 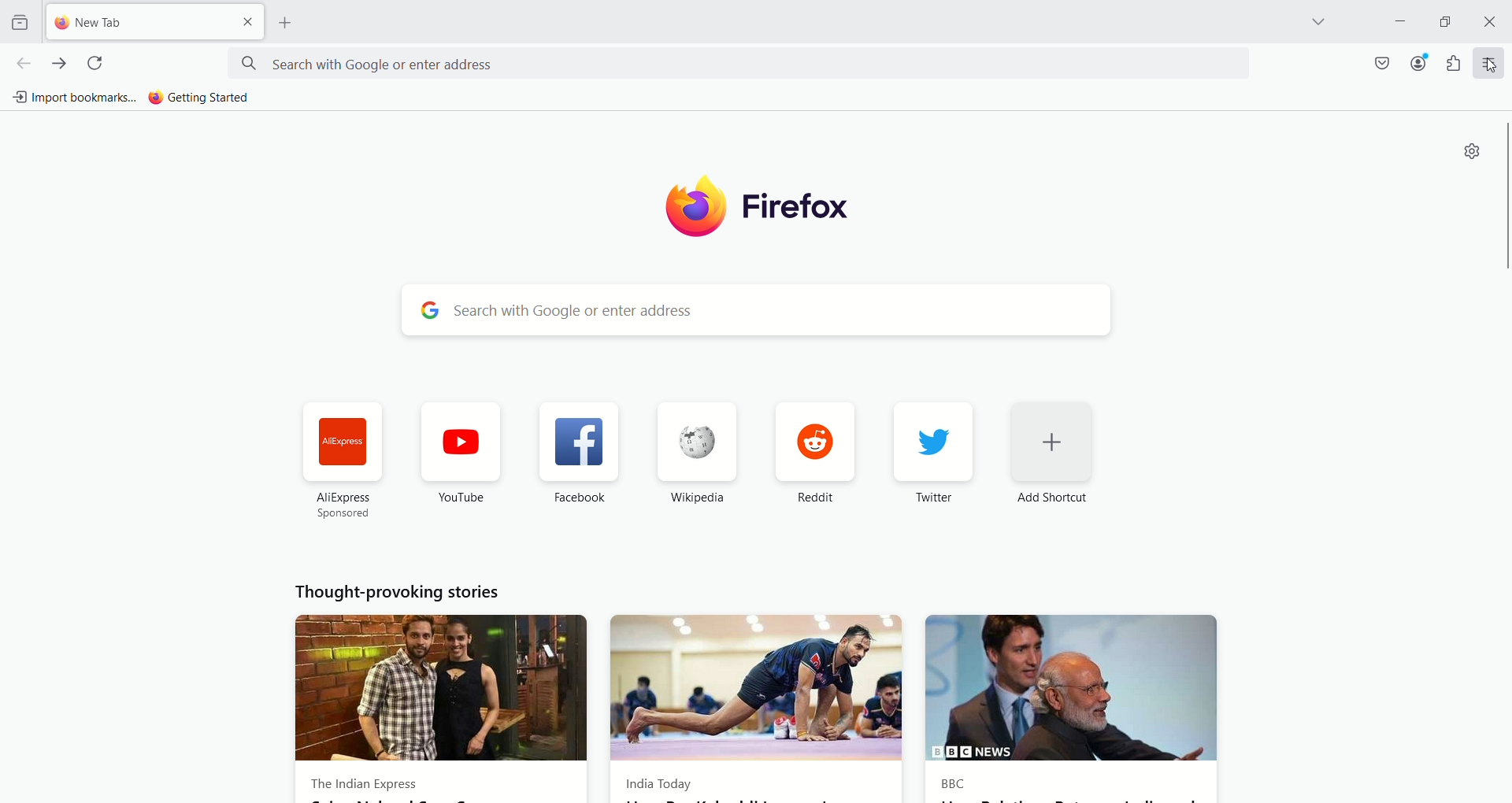 I want to click on reload current page, so click(x=96, y=61).